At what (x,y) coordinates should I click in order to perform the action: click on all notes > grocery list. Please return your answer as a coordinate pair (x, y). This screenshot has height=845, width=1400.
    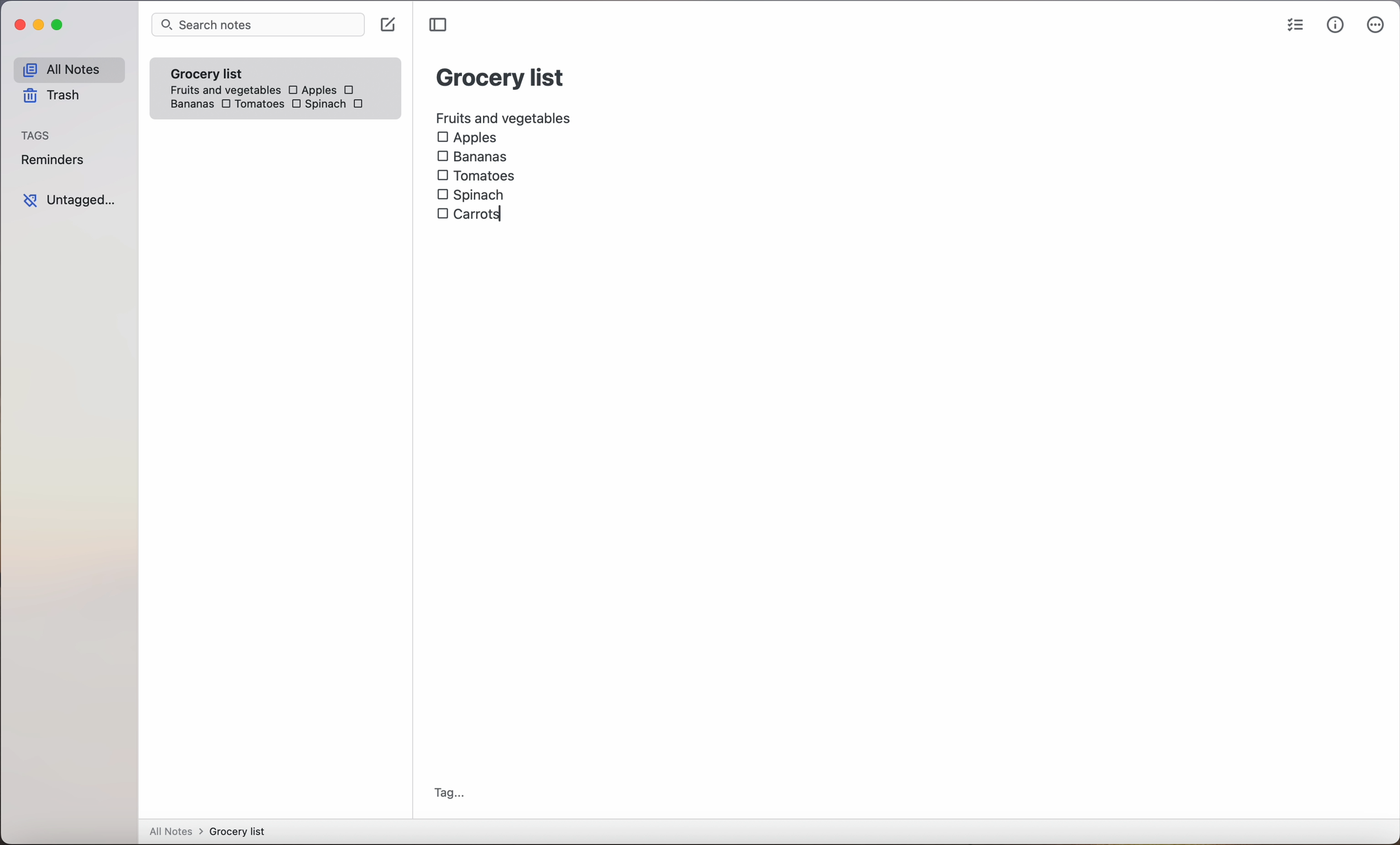
    Looking at the image, I should click on (212, 833).